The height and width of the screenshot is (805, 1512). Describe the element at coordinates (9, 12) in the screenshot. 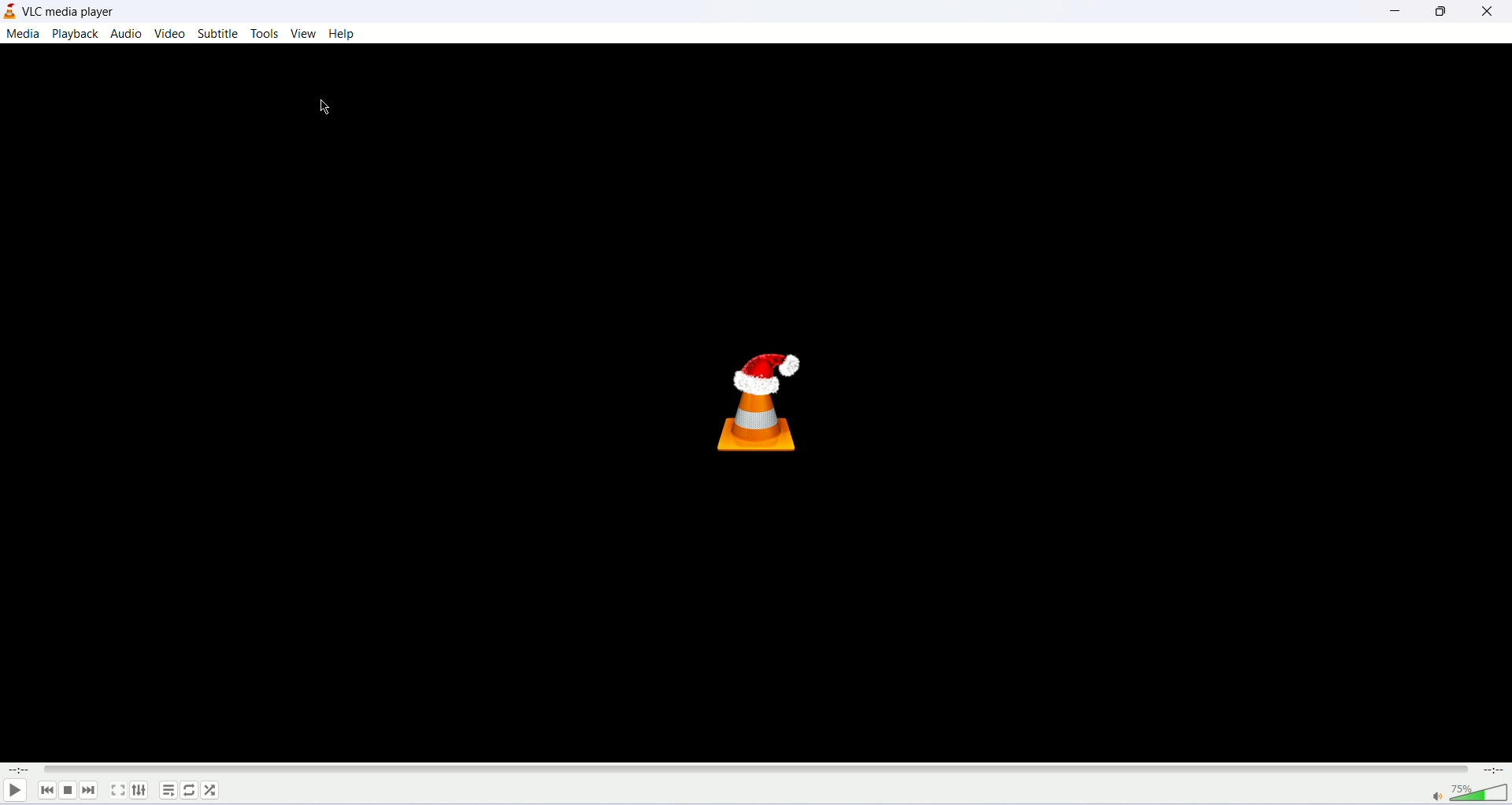

I see `vlc media player logo` at that location.